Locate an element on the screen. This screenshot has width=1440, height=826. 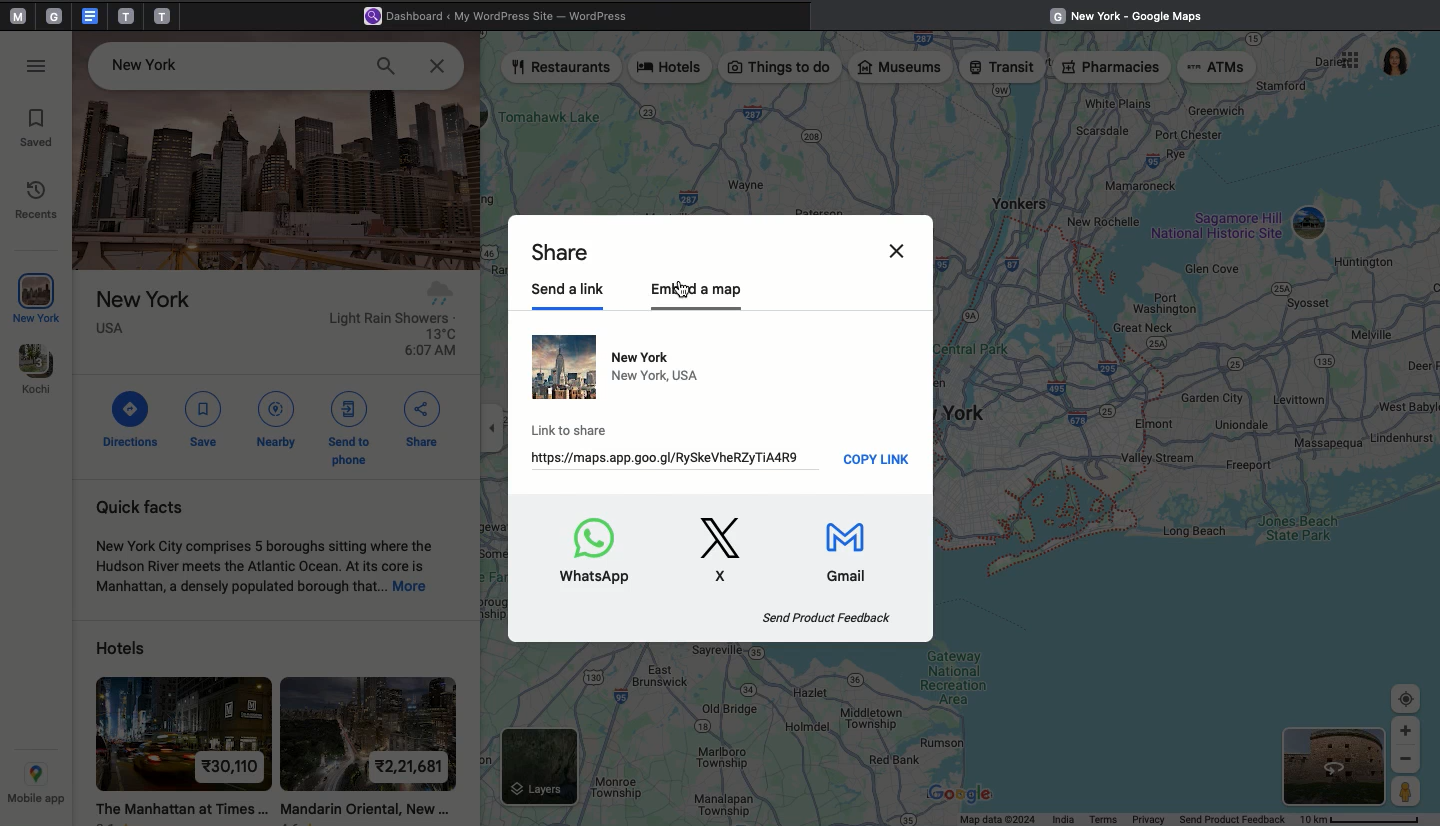
Pharmacies is located at coordinates (1111, 69).